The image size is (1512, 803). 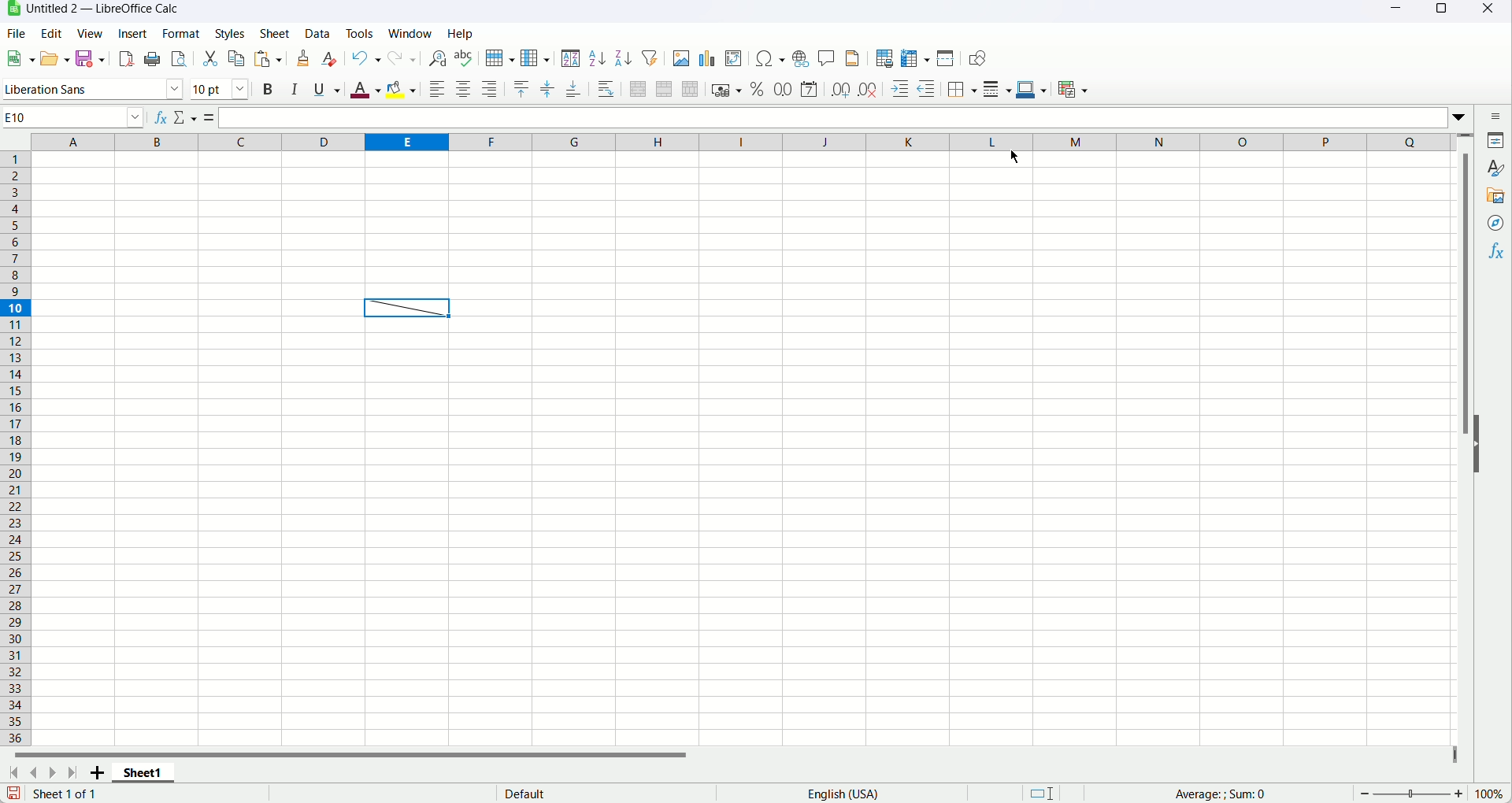 What do you see at coordinates (52, 32) in the screenshot?
I see `Edit` at bounding box center [52, 32].